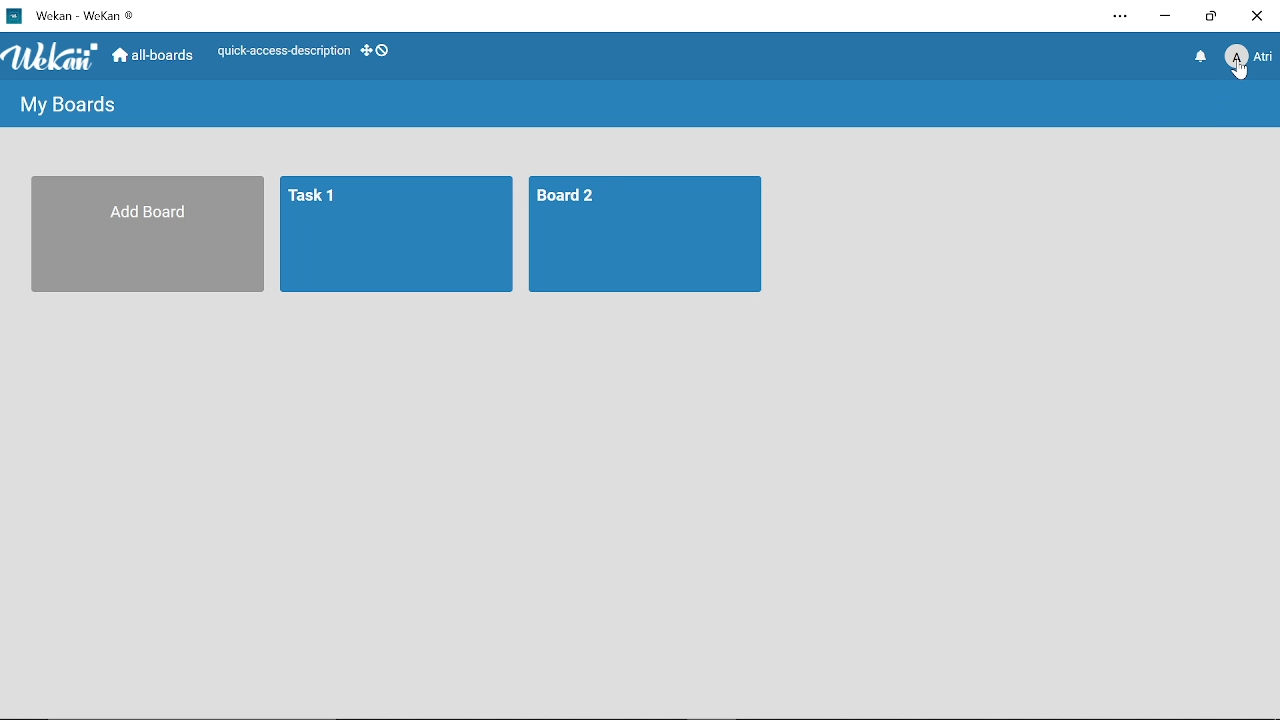  What do you see at coordinates (52, 58) in the screenshot?
I see `Wekan logo` at bounding box center [52, 58].